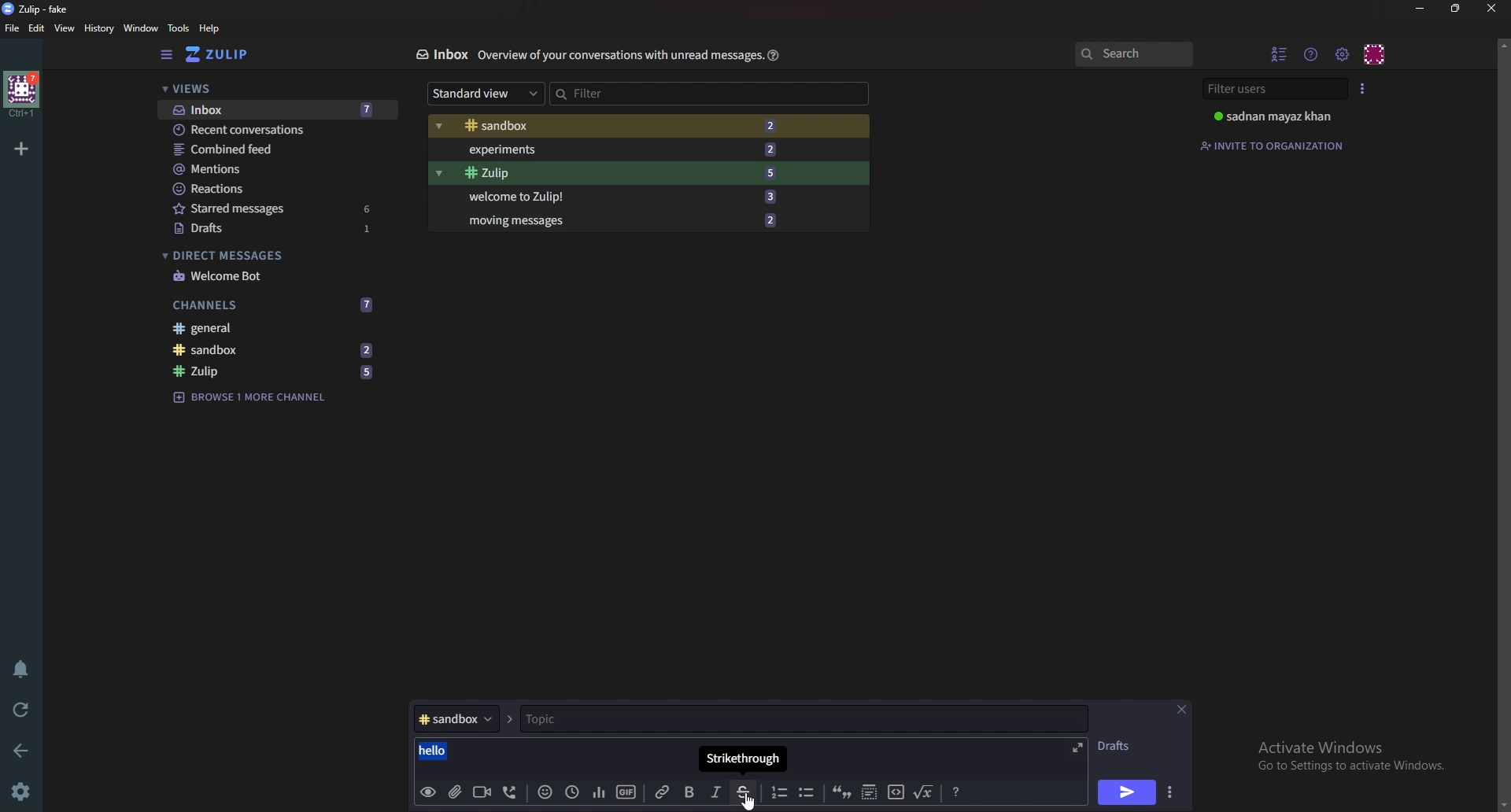 The height and width of the screenshot is (812, 1511). What do you see at coordinates (745, 791) in the screenshot?
I see `Strike through` at bounding box center [745, 791].